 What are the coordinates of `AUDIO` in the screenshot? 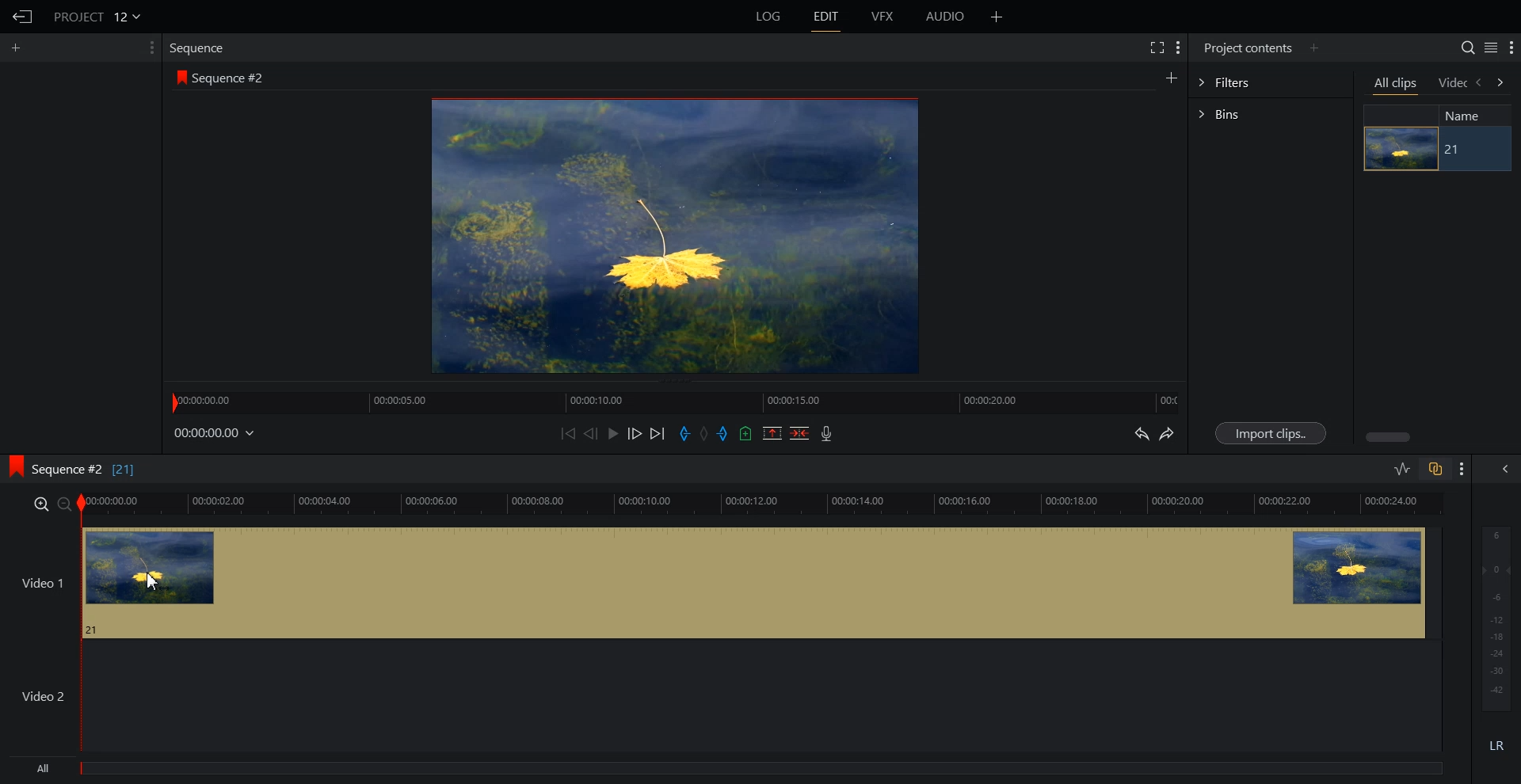 It's located at (946, 17).